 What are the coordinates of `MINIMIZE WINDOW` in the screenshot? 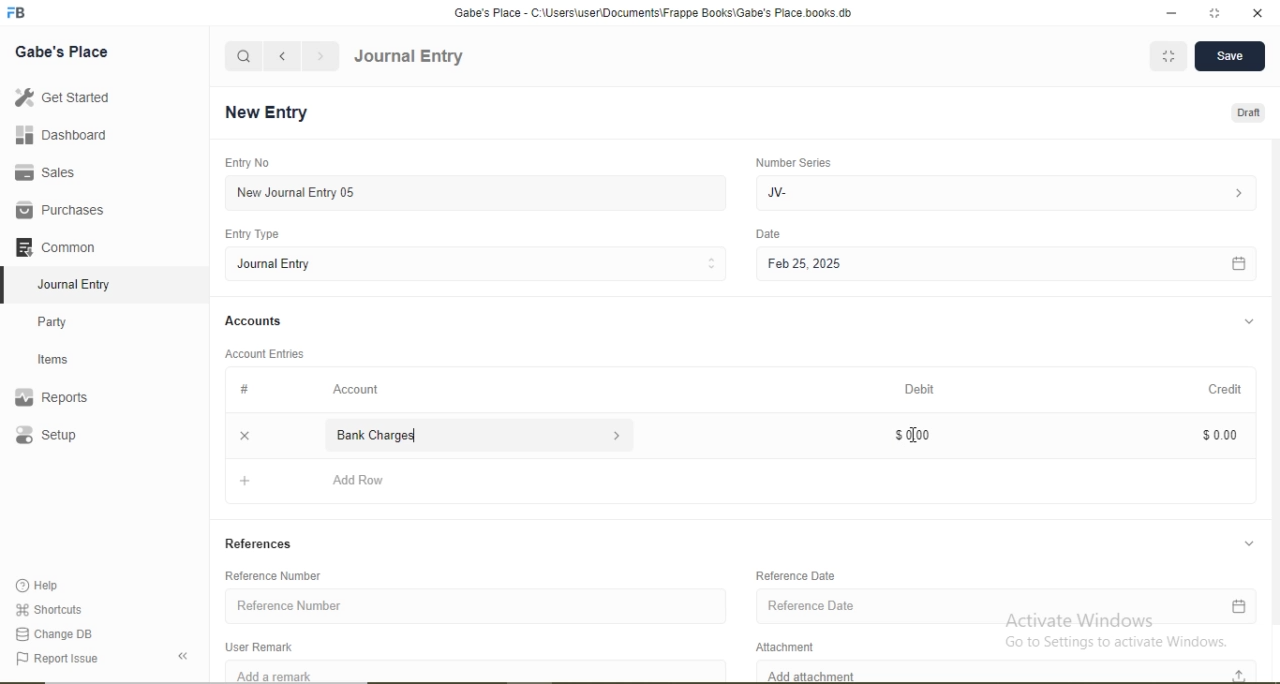 It's located at (1166, 56).